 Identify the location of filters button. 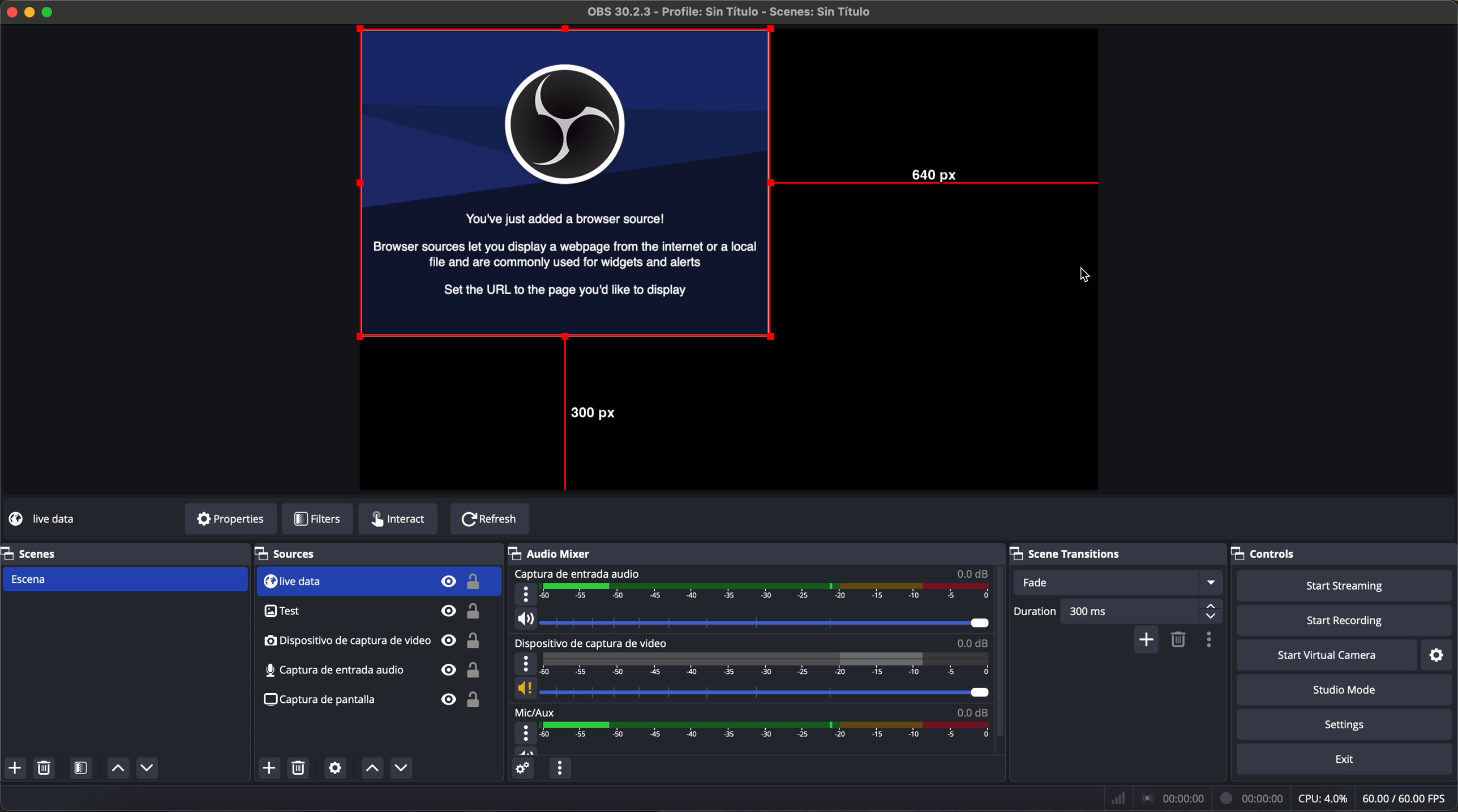
(317, 518).